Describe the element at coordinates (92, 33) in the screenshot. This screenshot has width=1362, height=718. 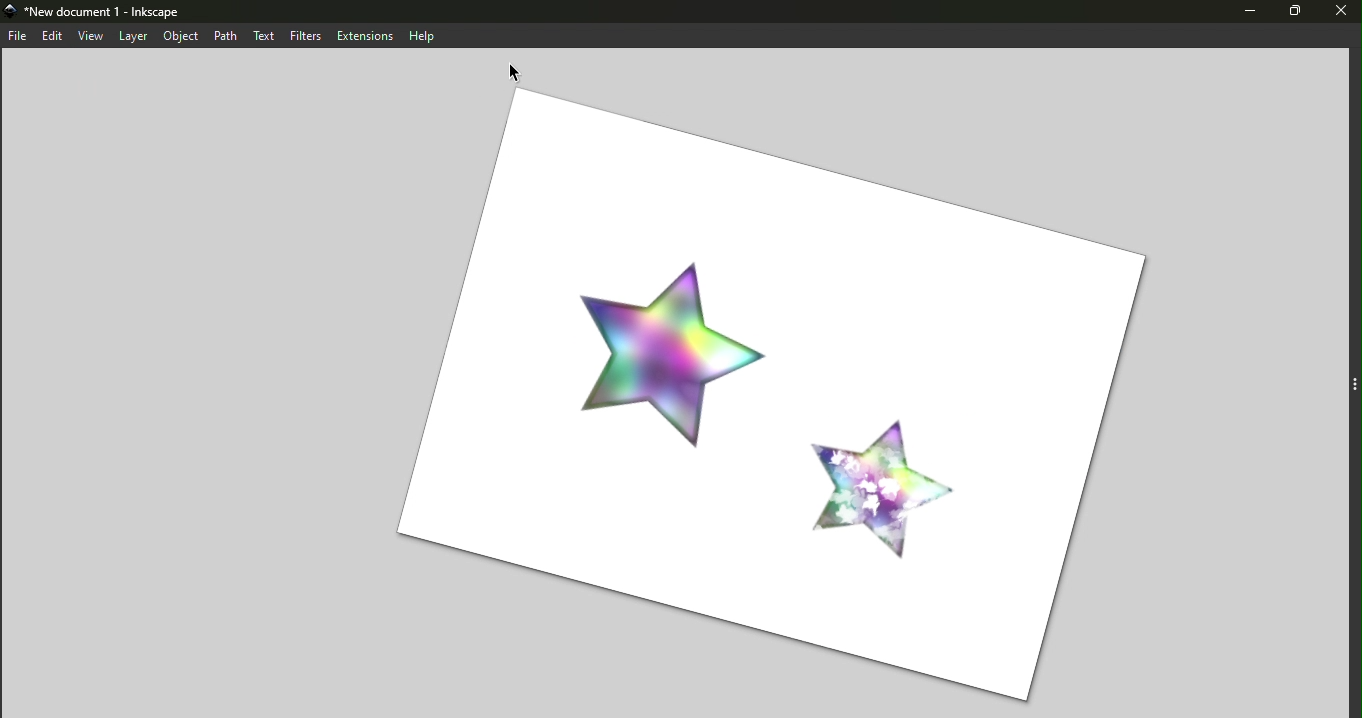
I see `View` at that location.